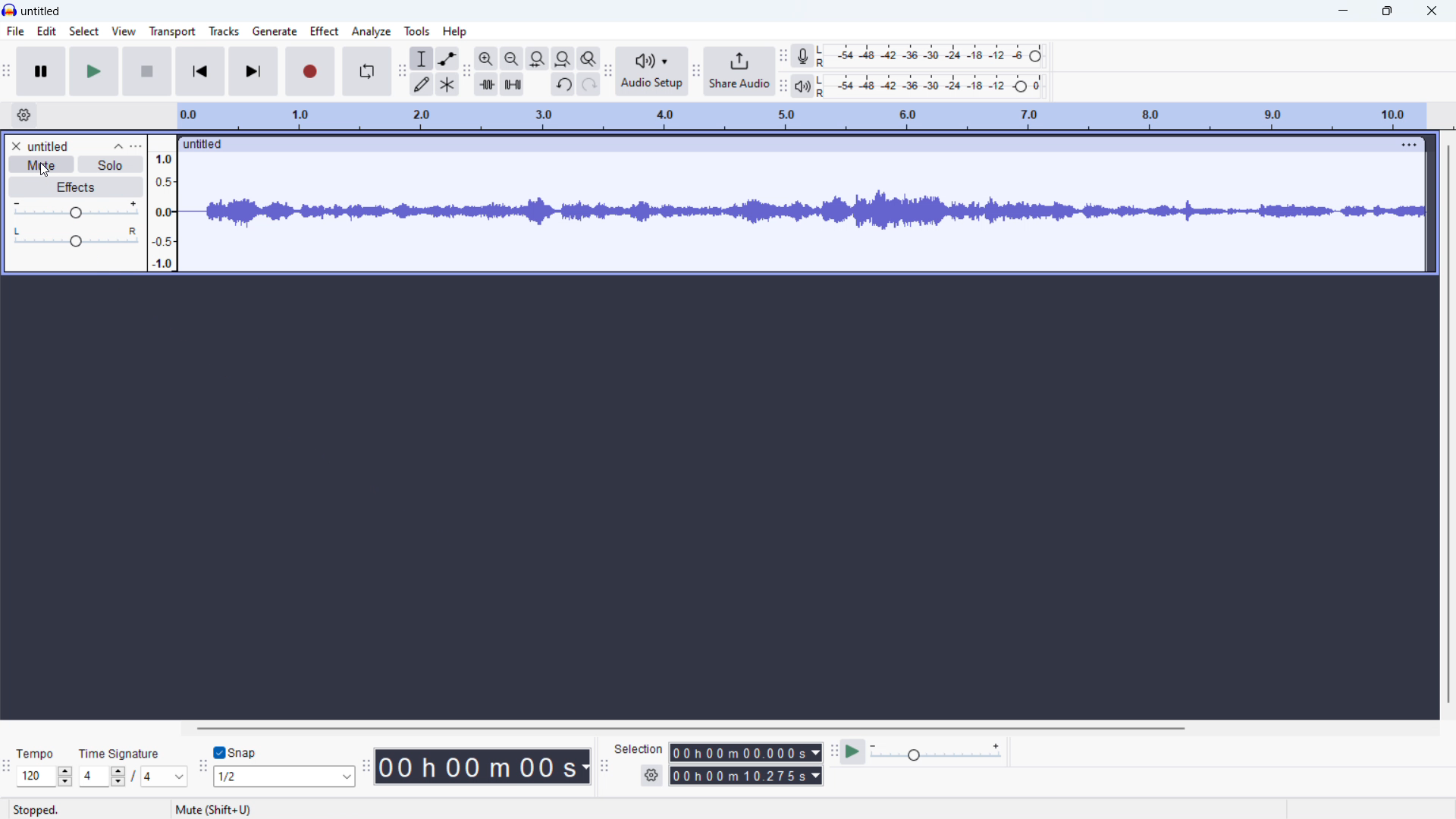 This screenshot has height=819, width=1456. Describe the element at coordinates (41, 71) in the screenshot. I see `pause` at that location.